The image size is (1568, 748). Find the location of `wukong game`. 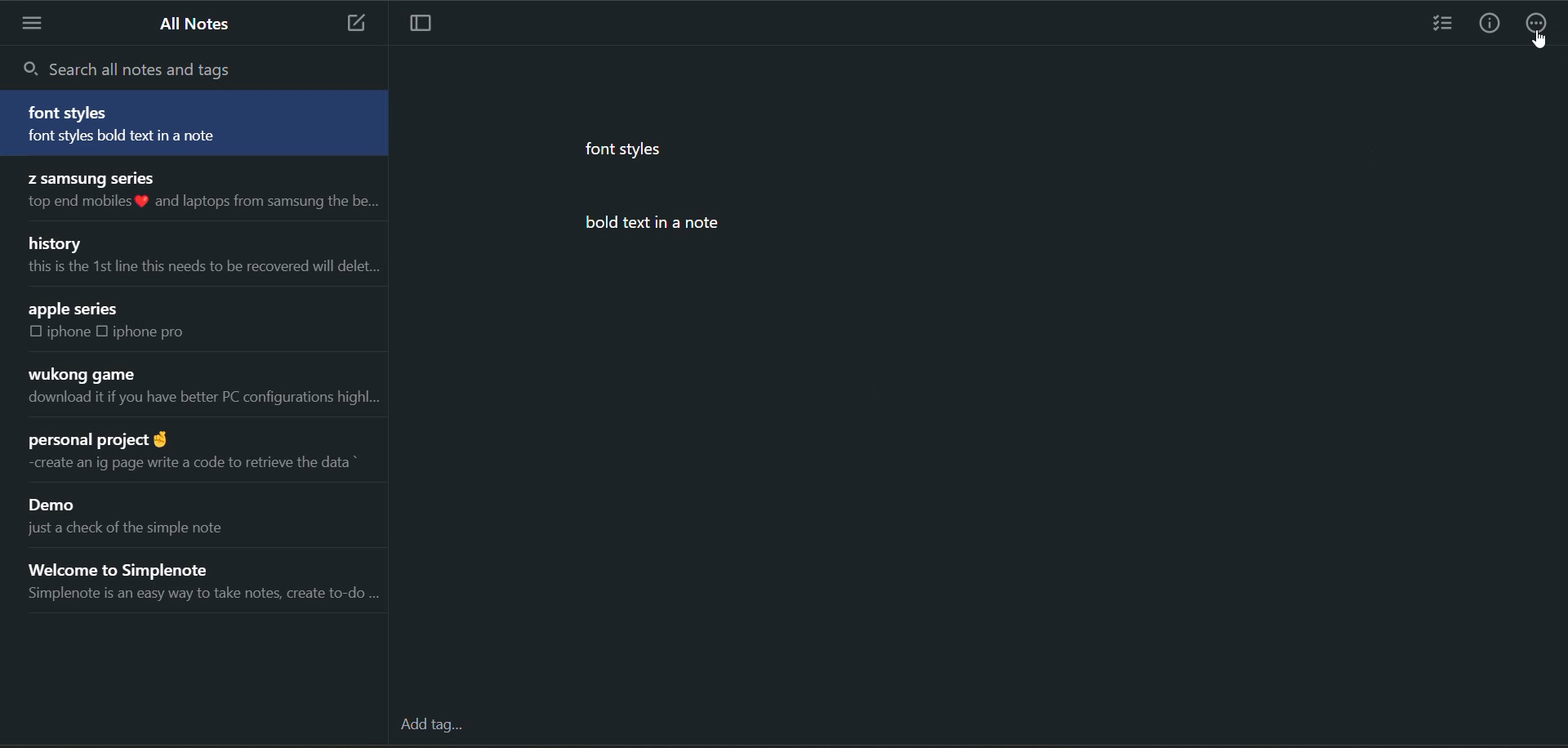

wukong game is located at coordinates (80, 375).